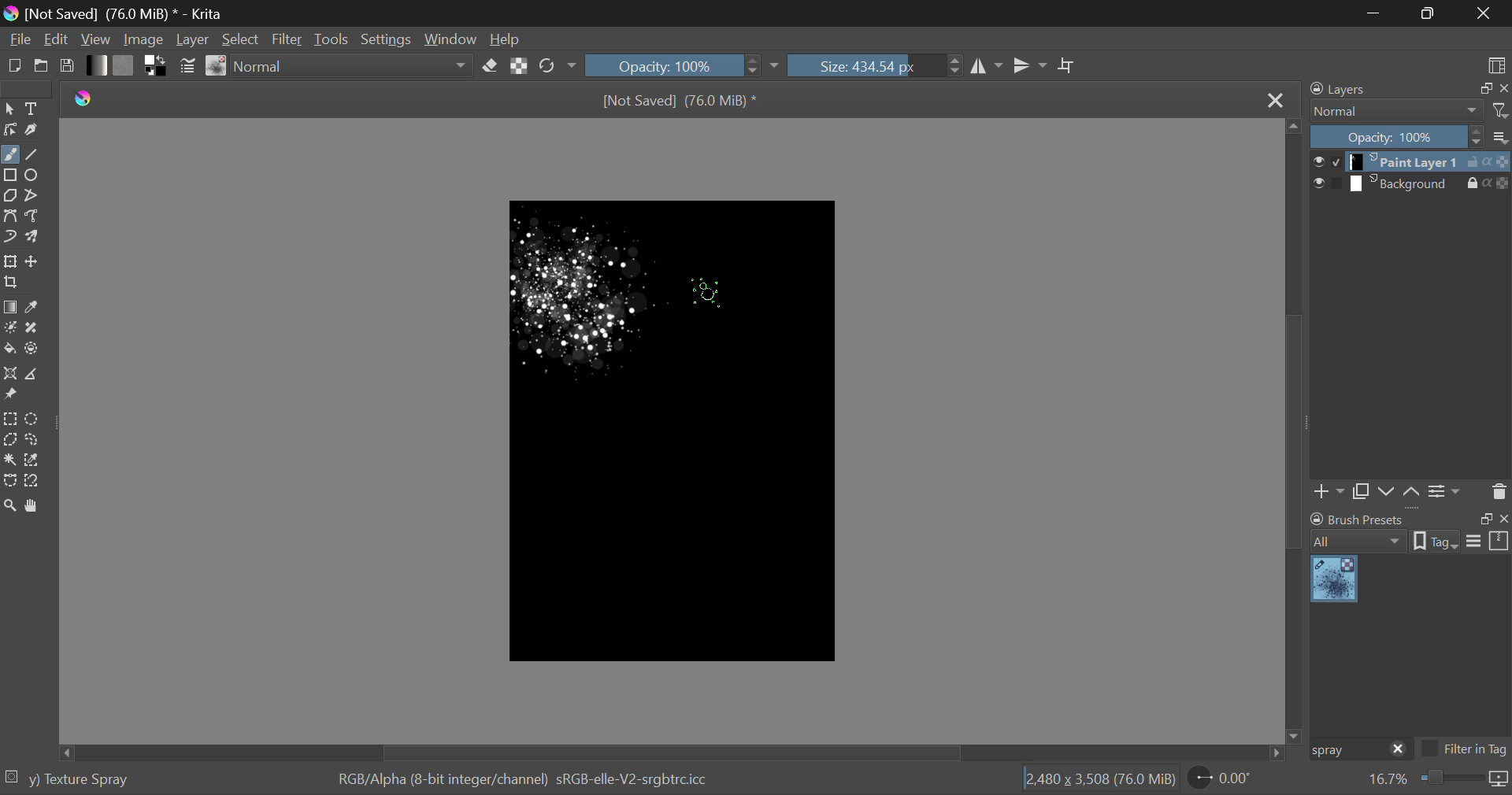 The width and height of the screenshot is (1512, 795). I want to click on selection, so click(13, 775).